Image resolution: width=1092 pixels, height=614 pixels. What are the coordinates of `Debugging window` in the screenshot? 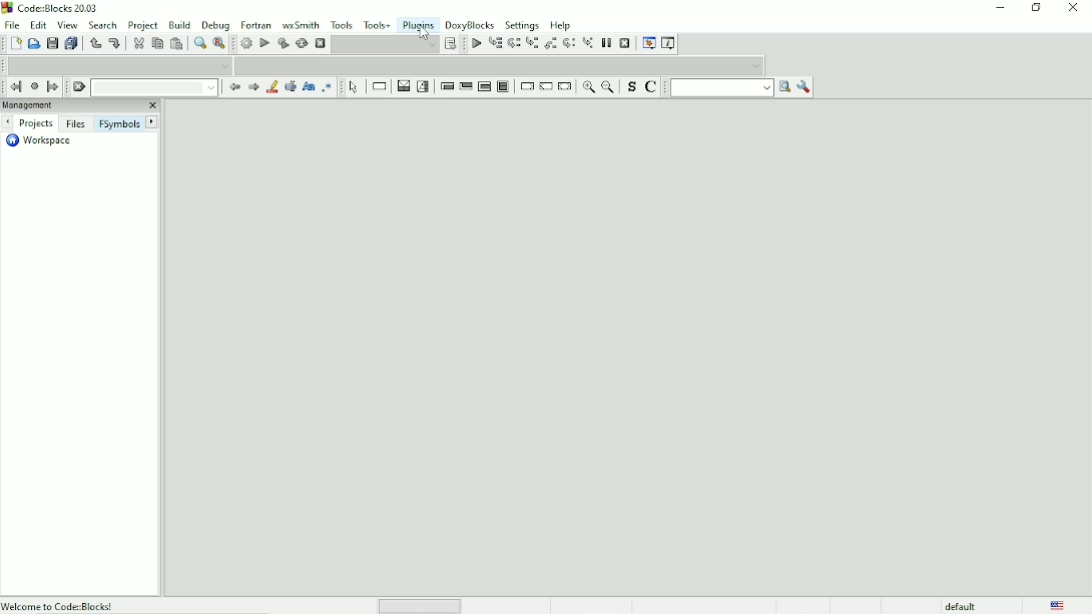 It's located at (648, 43).